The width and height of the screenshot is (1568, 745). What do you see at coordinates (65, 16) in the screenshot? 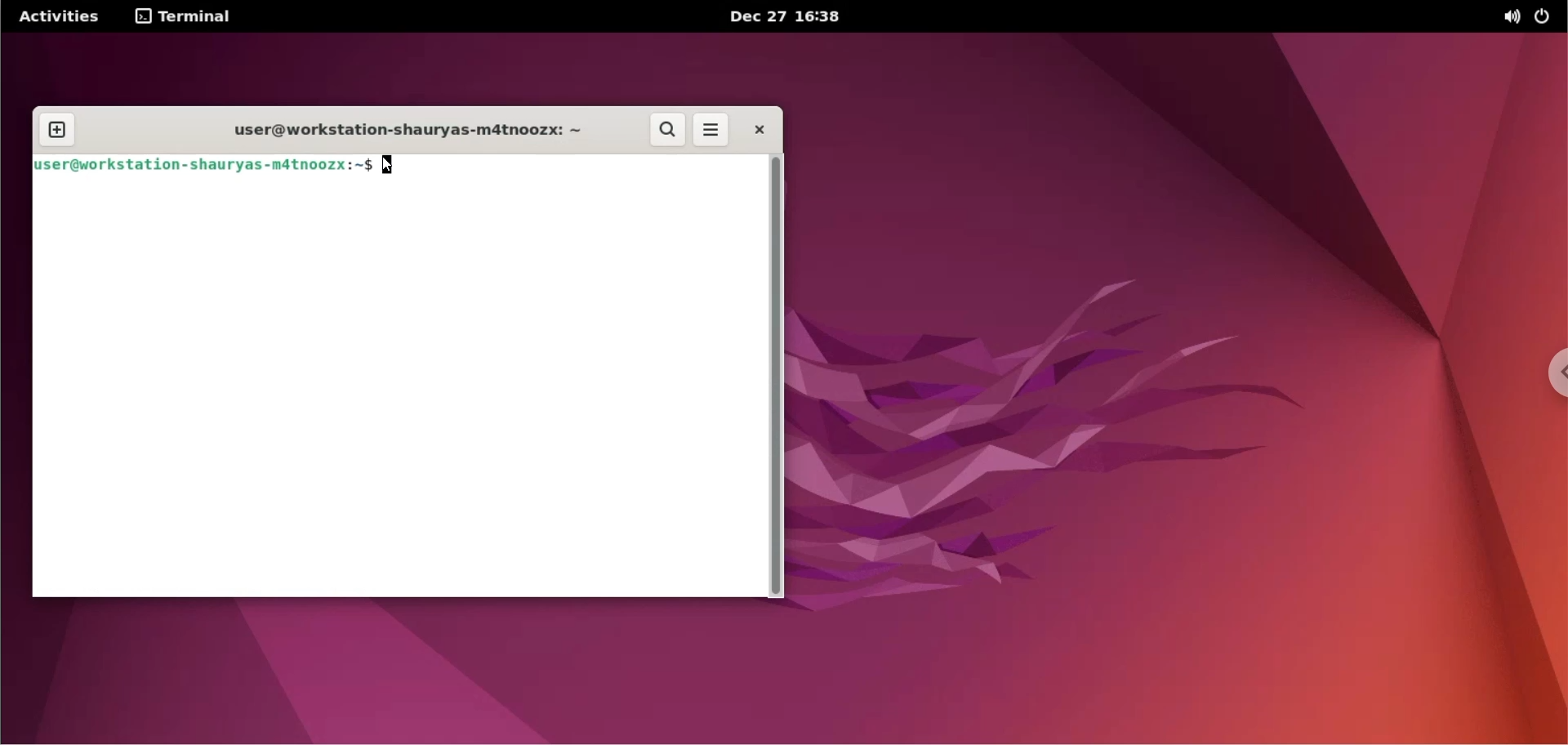
I see `Activities` at bounding box center [65, 16].